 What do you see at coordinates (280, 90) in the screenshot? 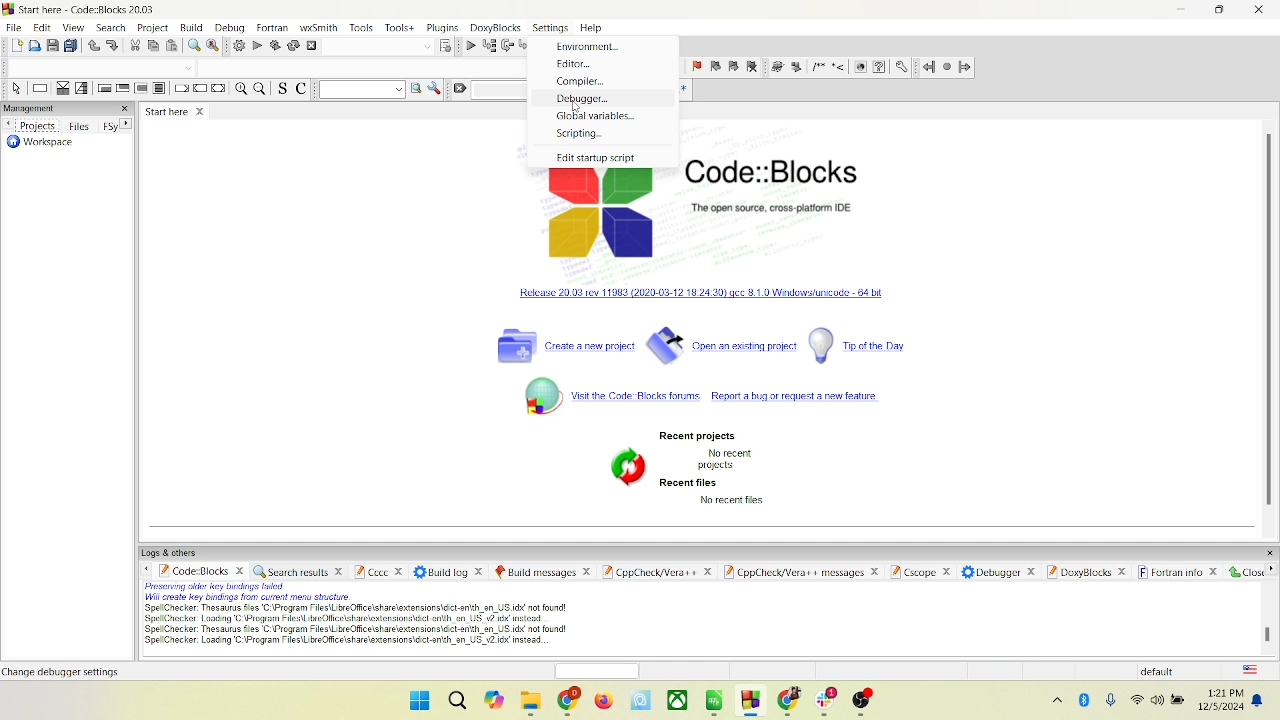
I see `toggle source` at bounding box center [280, 90].